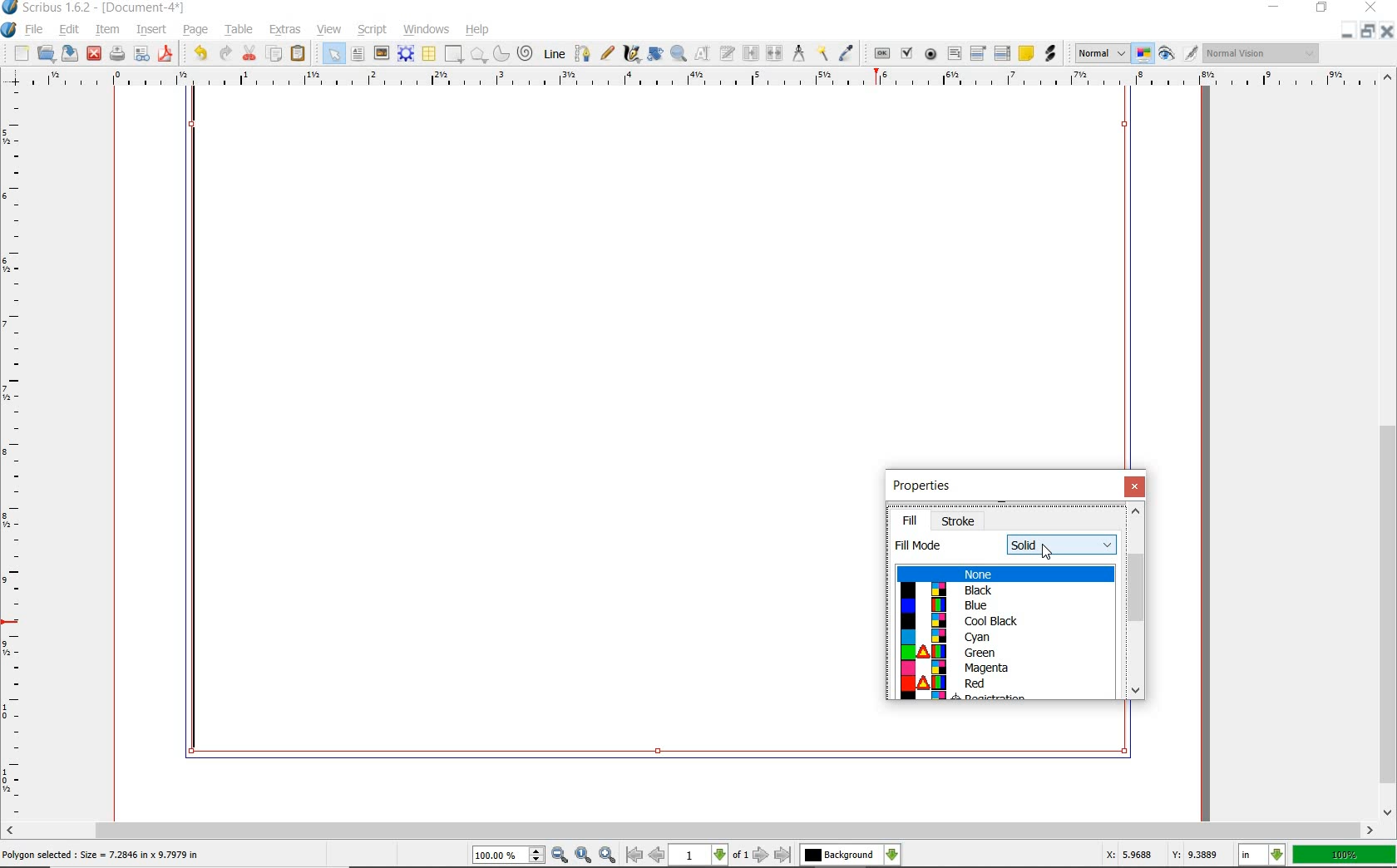 The image size is (1397, 868). Describe the element at coordinates (526, 53) in the screenshot. I see `spiral` at that location.